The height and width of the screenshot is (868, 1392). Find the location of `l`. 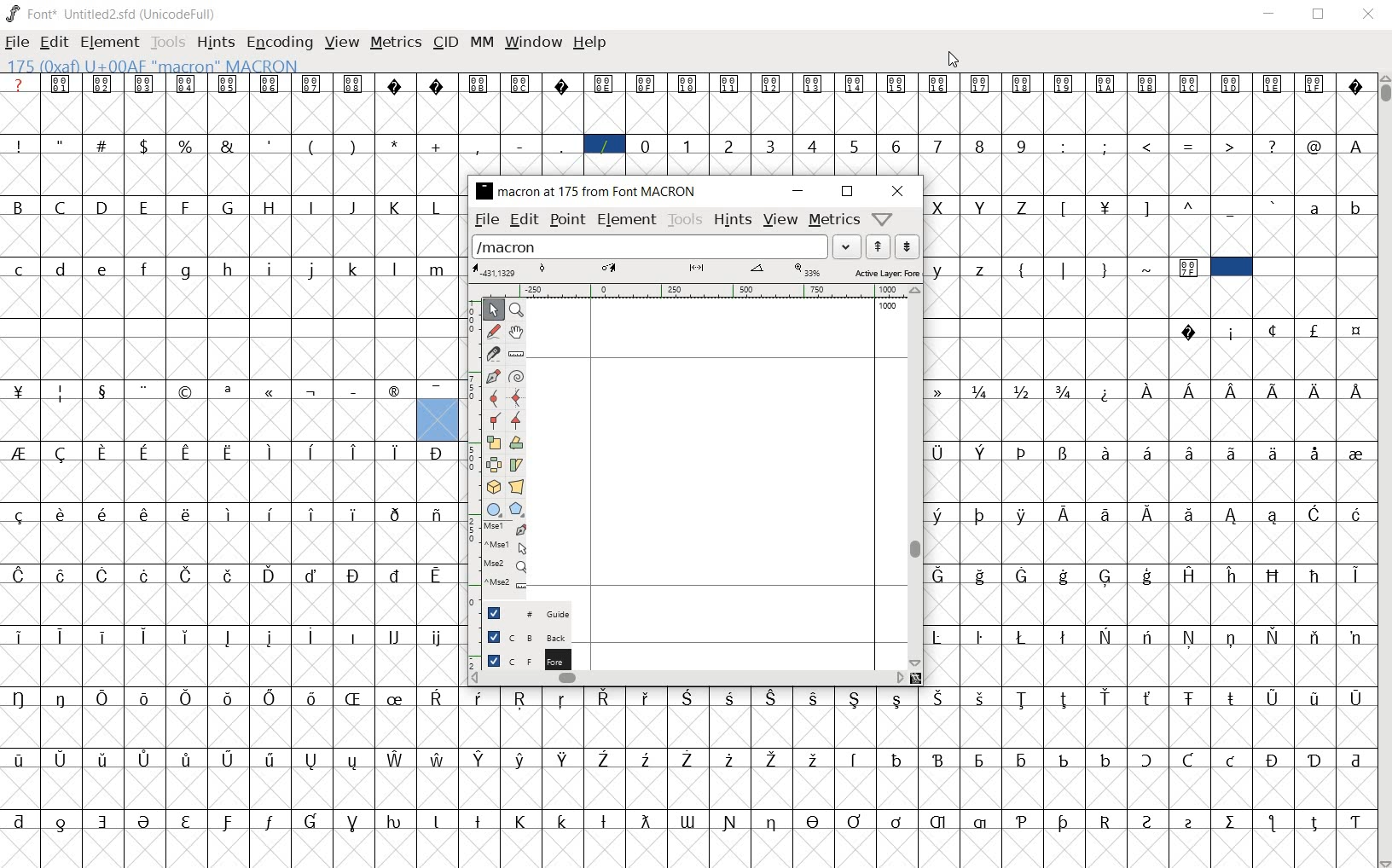

l is located at coordinates (397, 267).